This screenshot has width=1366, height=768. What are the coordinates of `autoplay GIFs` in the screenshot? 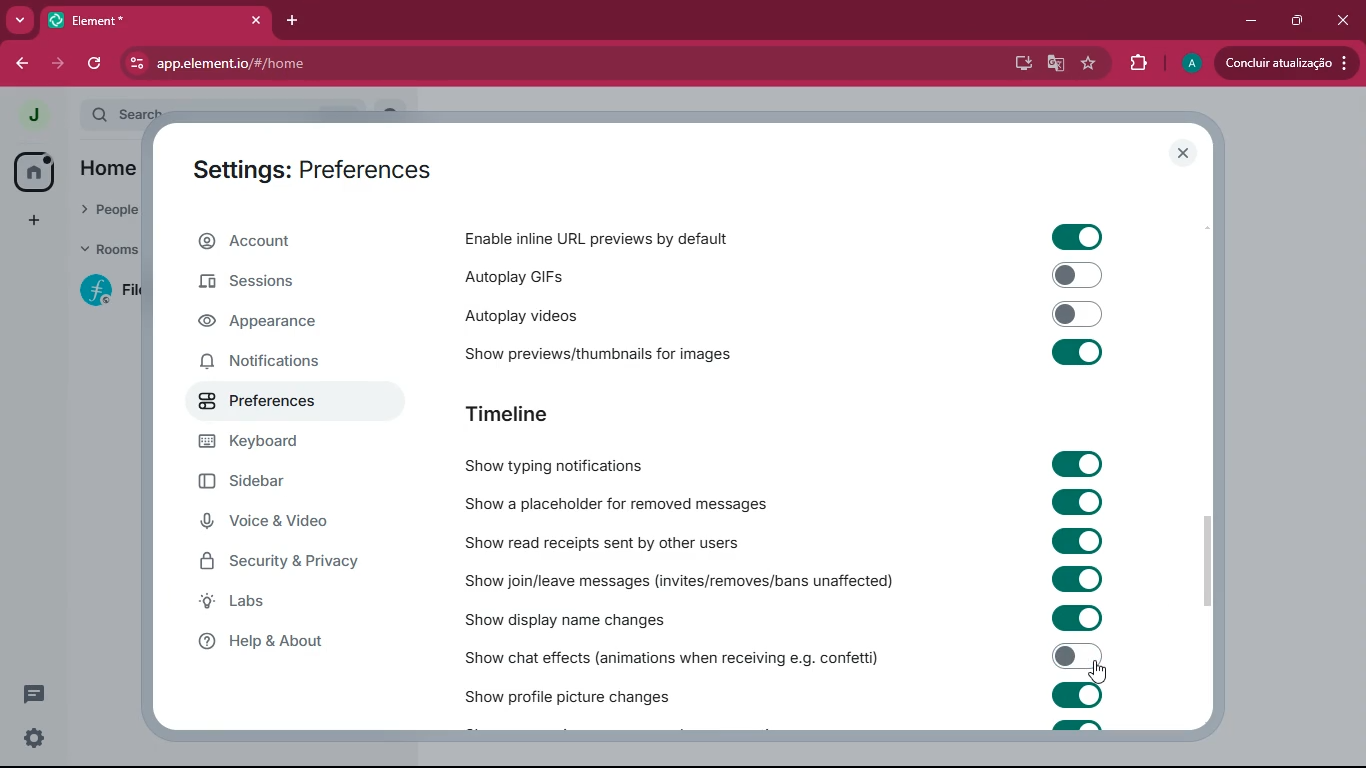 It's located at (599, 274).